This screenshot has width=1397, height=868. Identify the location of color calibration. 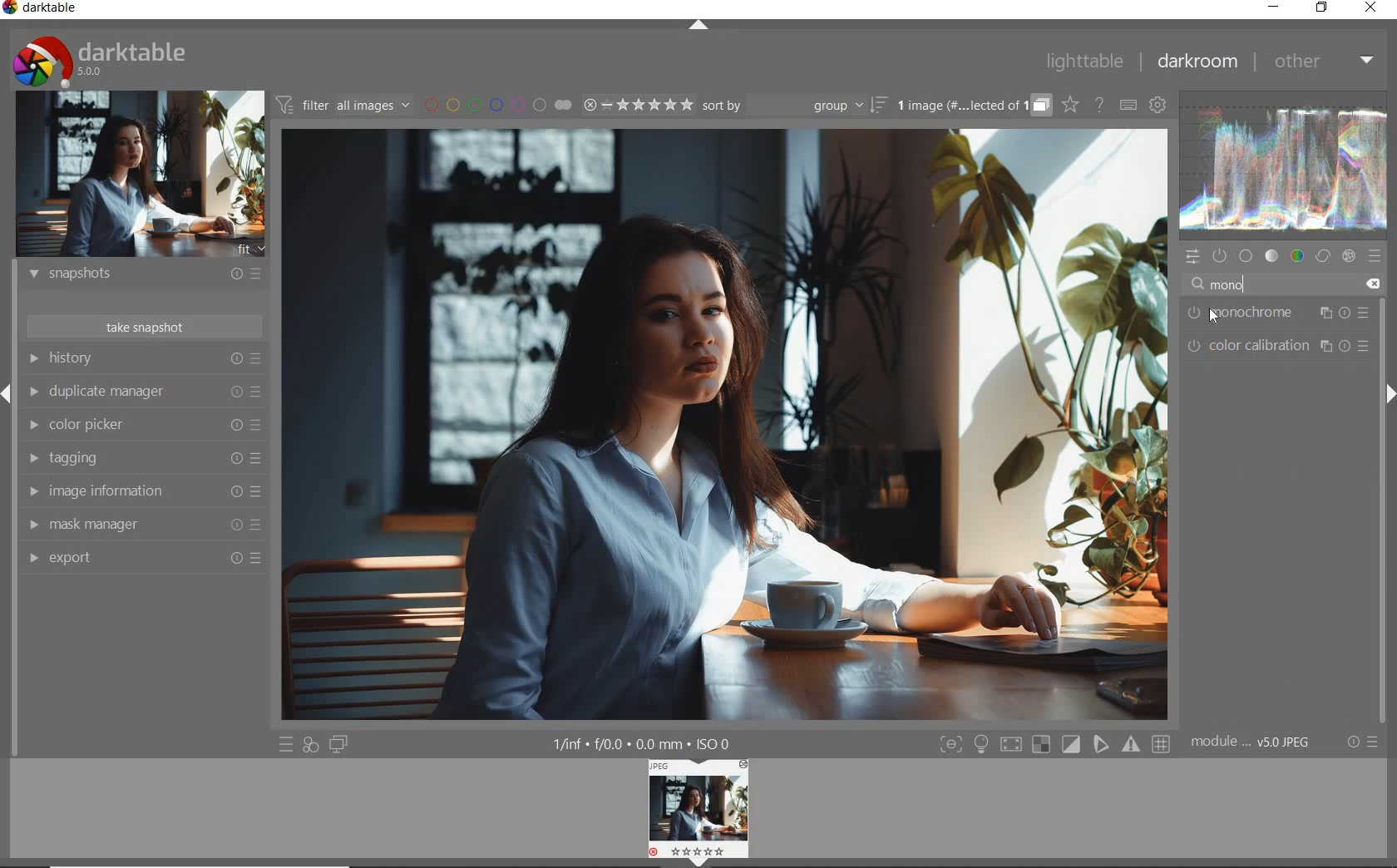
(1279, 345).